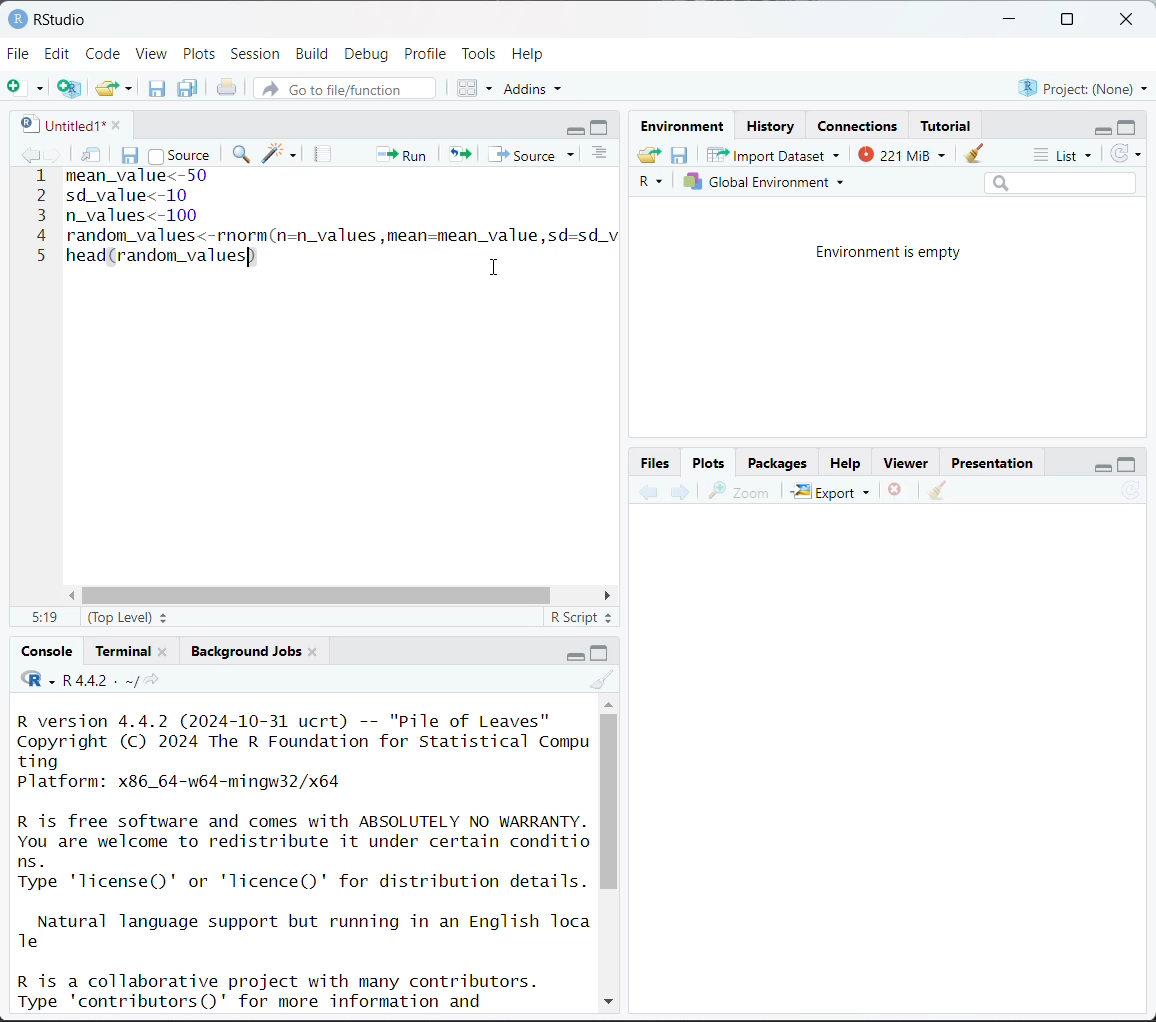 This screenshot has width=1156, height=1022. Describe the element at coordinates (496, 265) in the screenshot. I see `cursor` at that location.